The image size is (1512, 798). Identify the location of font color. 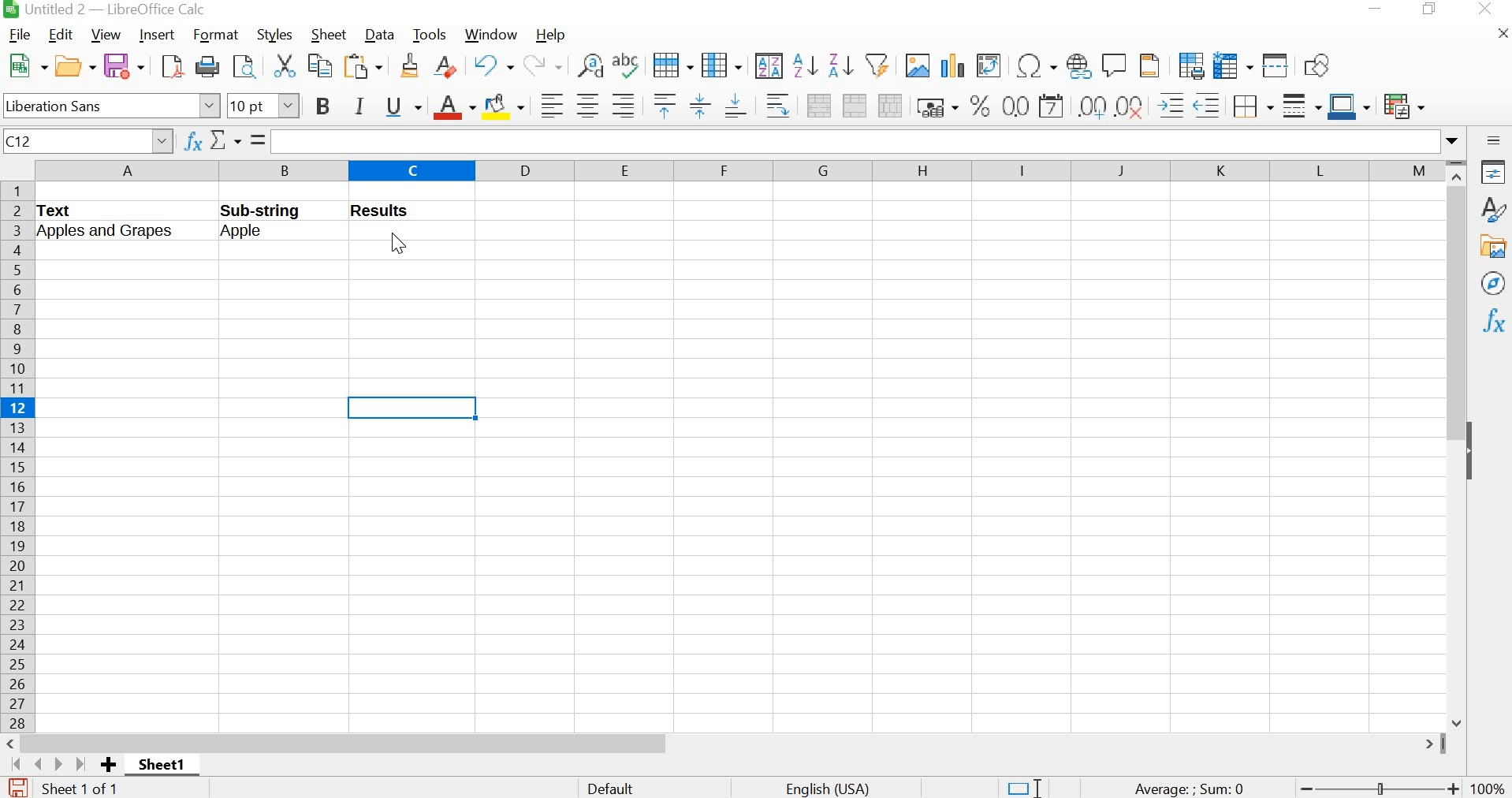
(452, 107).